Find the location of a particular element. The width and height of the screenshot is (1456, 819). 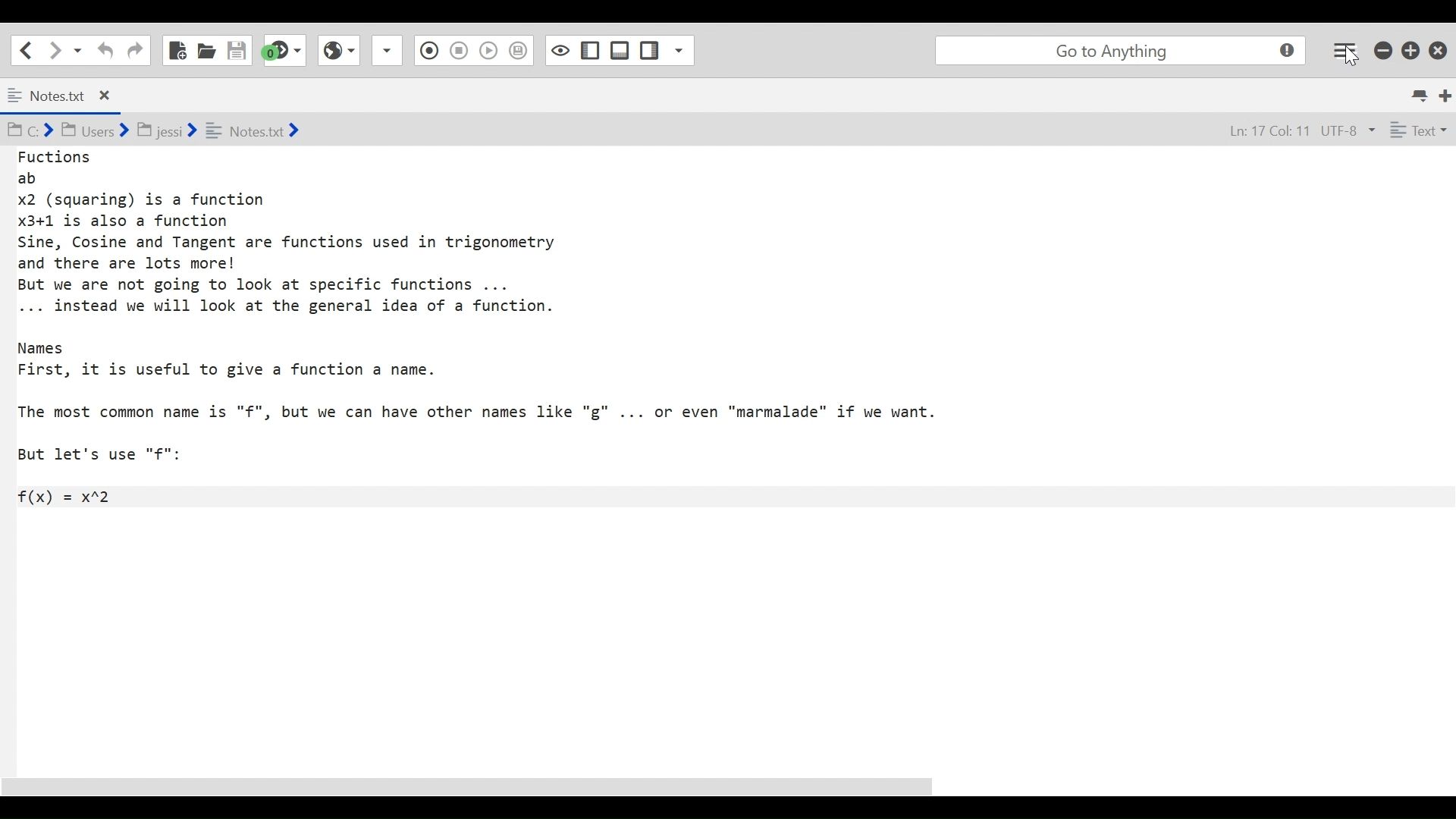

New Tab is located at coordinates (1446, 94).